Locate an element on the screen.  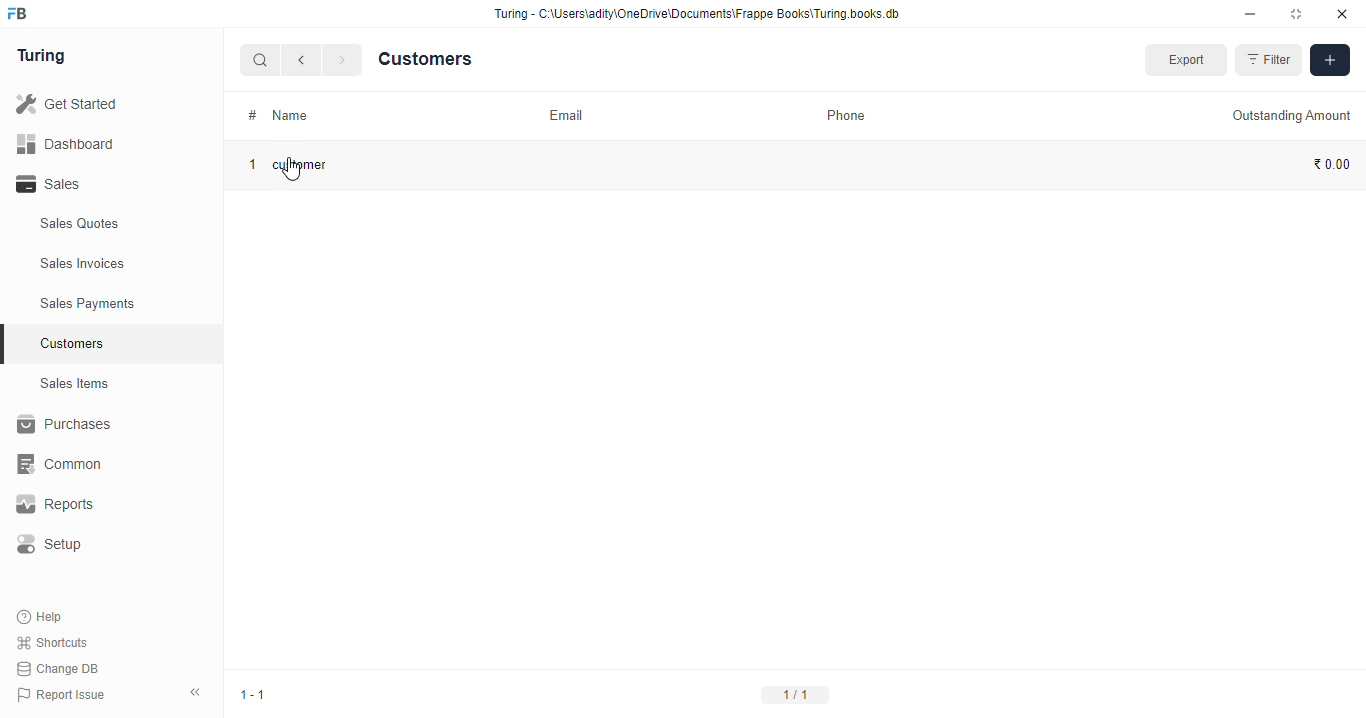
Filter is located at coordinates (1271, 61).